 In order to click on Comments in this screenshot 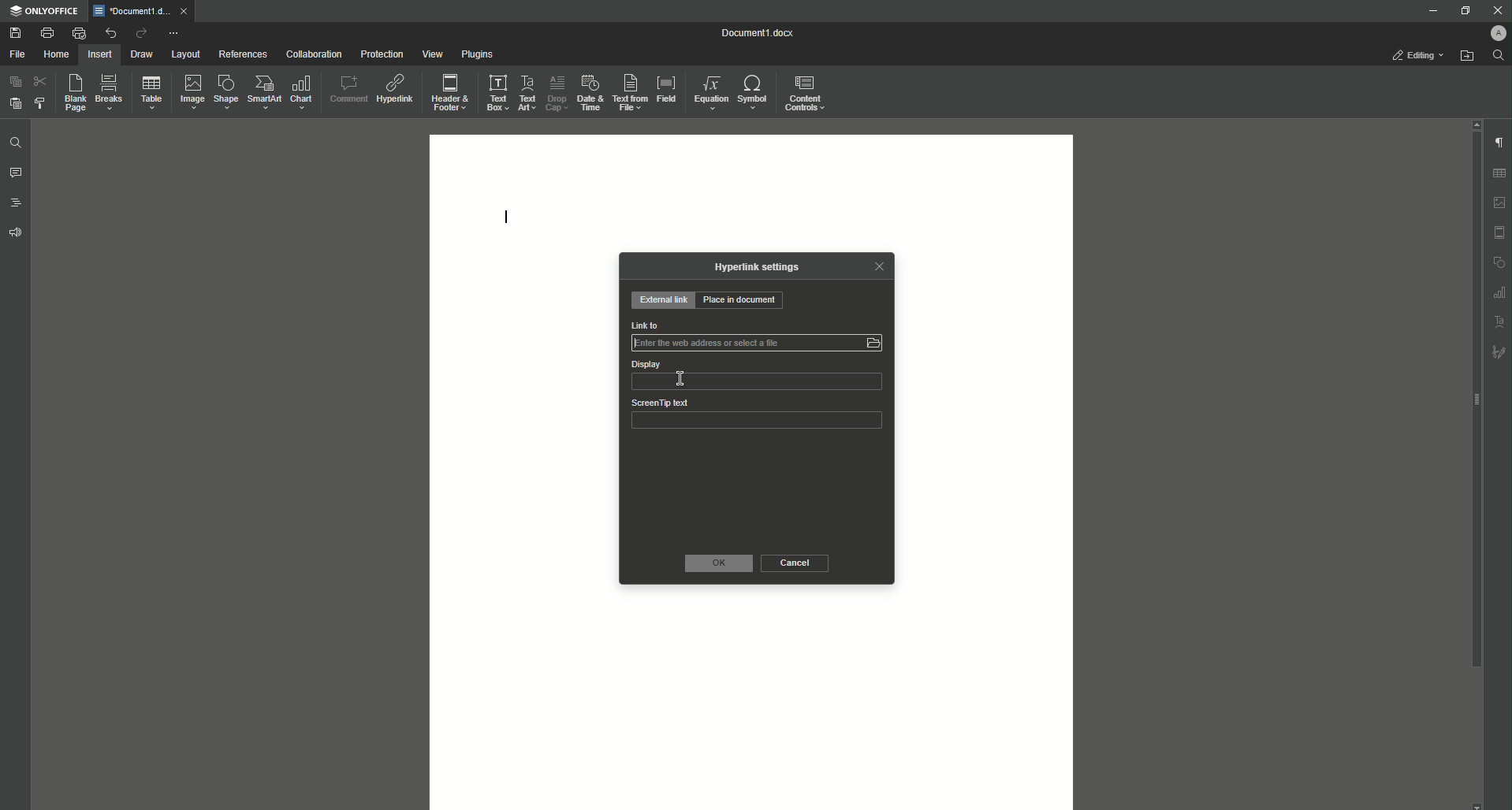, I will do `click(16, 173)`.